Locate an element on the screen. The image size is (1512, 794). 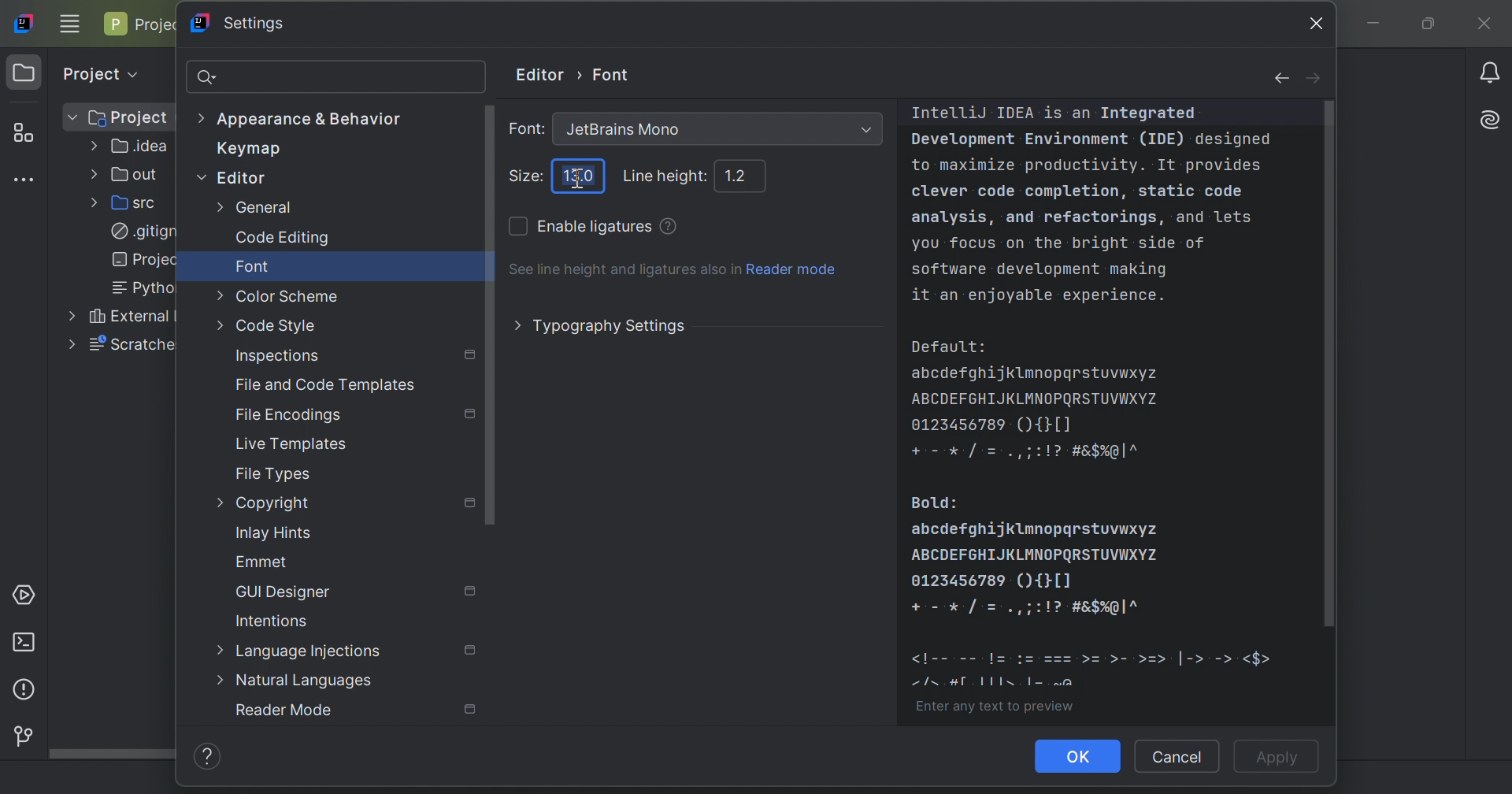
Emmet is located at coordinates (262, 562).